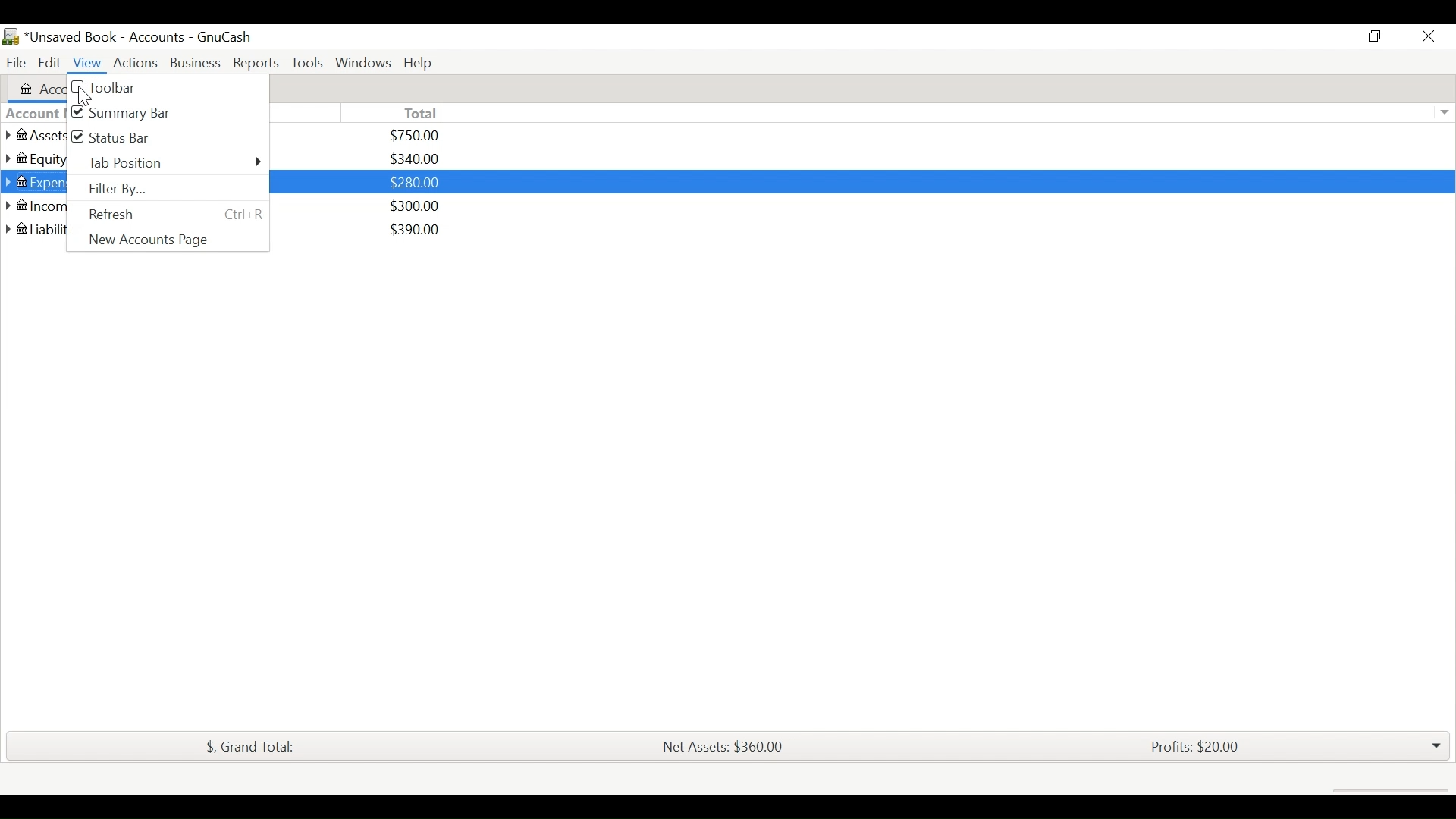 Image resolution: width=1456 pixels, height=819 pixels. What do you see at coordinates (1435, 746) in the screenshot?
I see `drop down` at bounding box center [1435, 746].